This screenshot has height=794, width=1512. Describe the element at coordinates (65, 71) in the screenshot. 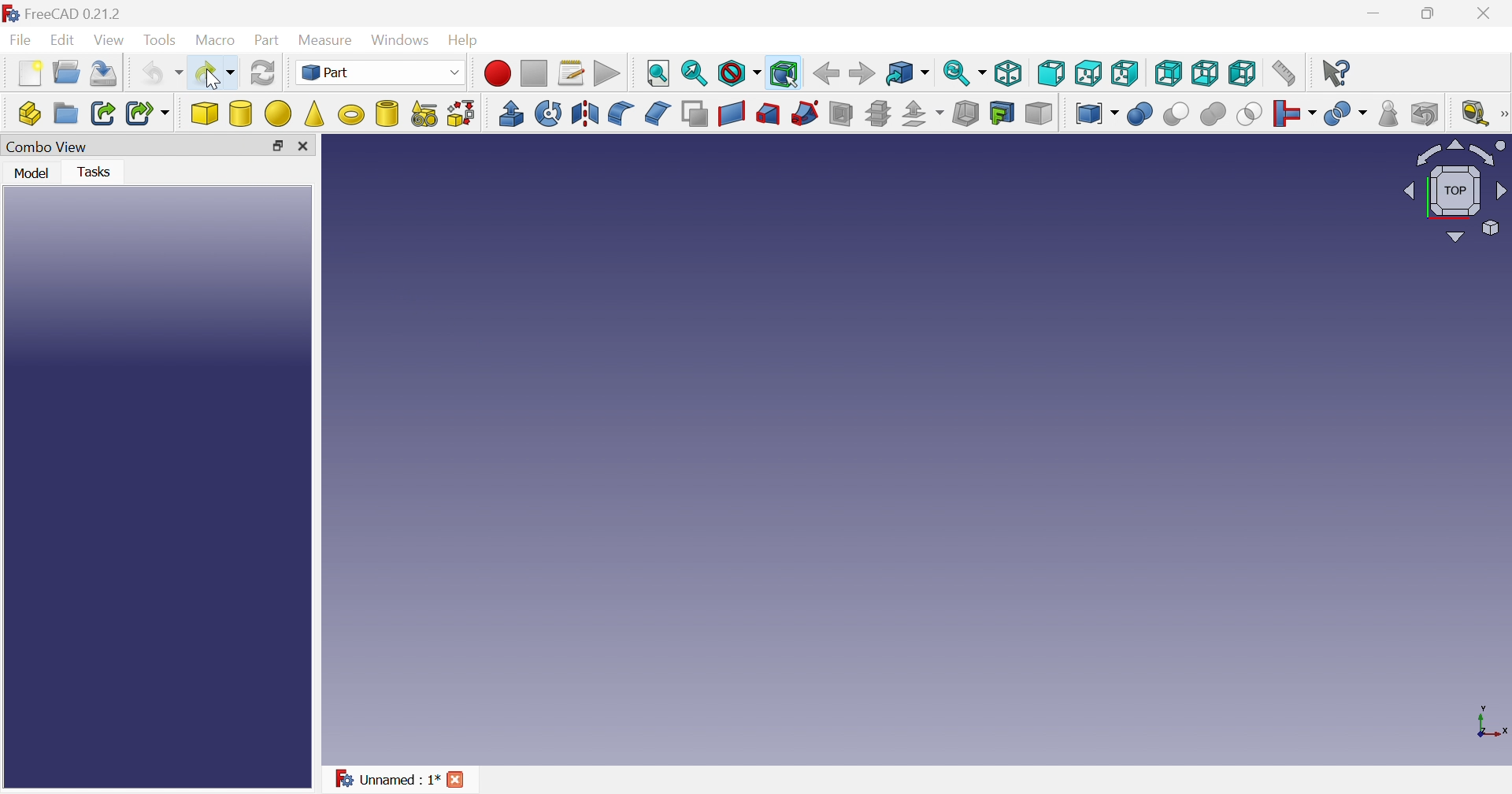

I see `Open` at that location.